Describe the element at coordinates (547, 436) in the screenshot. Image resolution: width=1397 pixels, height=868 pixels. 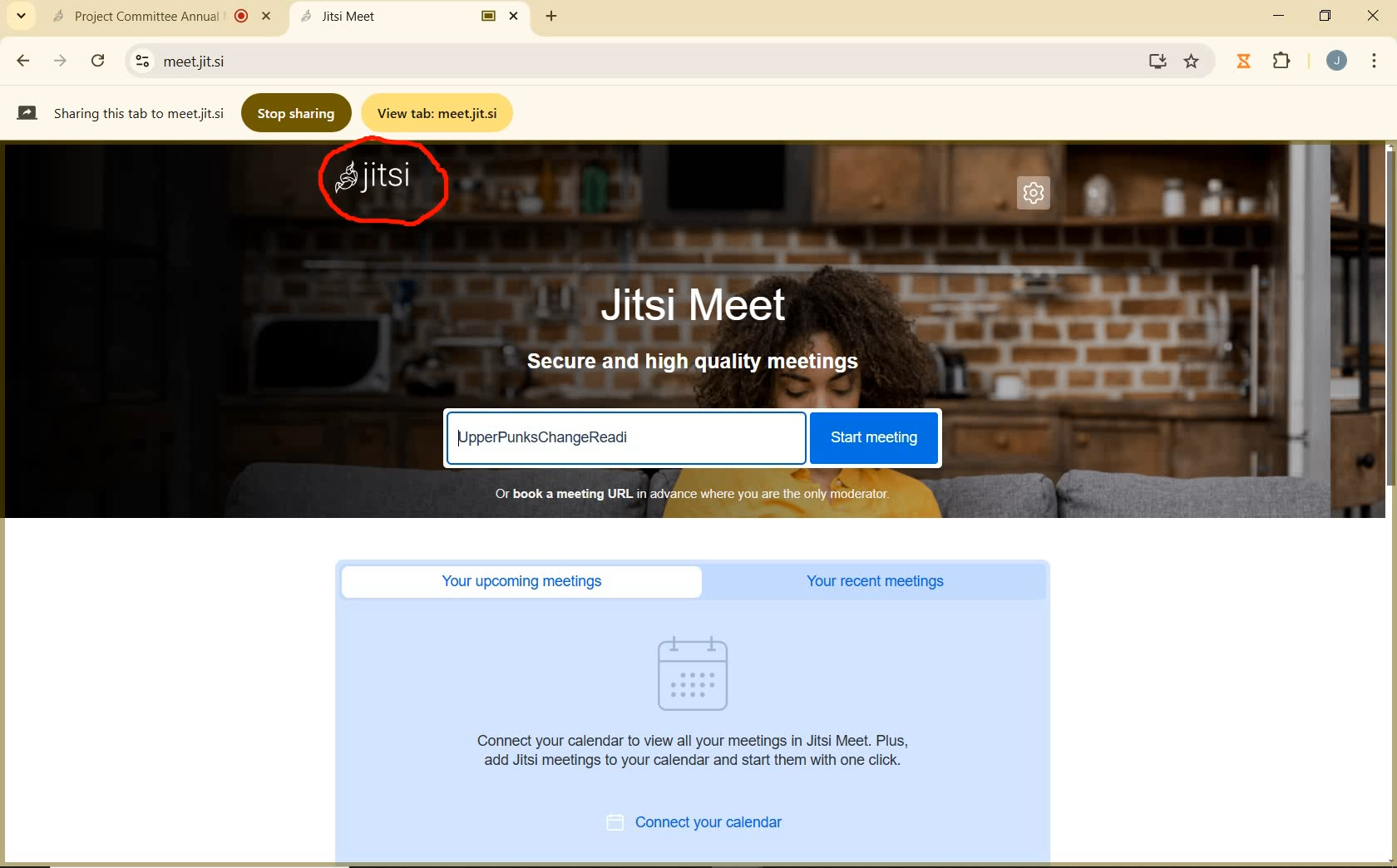
I see `UpperPunksChangeReadi` at that location.